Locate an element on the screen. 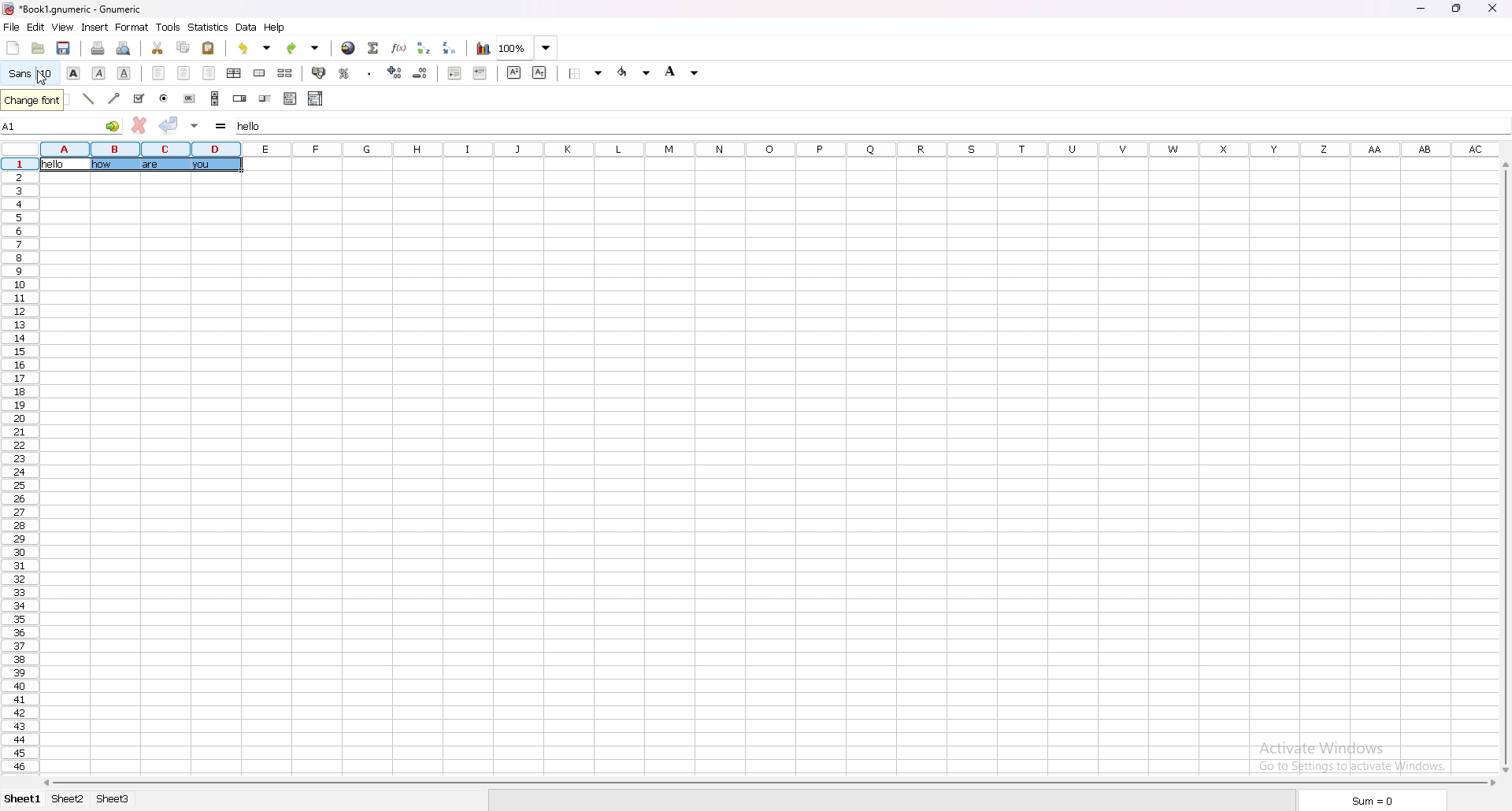 The width and height of the screenshot is (1512, 811). list is located at coordinates (290, 99).